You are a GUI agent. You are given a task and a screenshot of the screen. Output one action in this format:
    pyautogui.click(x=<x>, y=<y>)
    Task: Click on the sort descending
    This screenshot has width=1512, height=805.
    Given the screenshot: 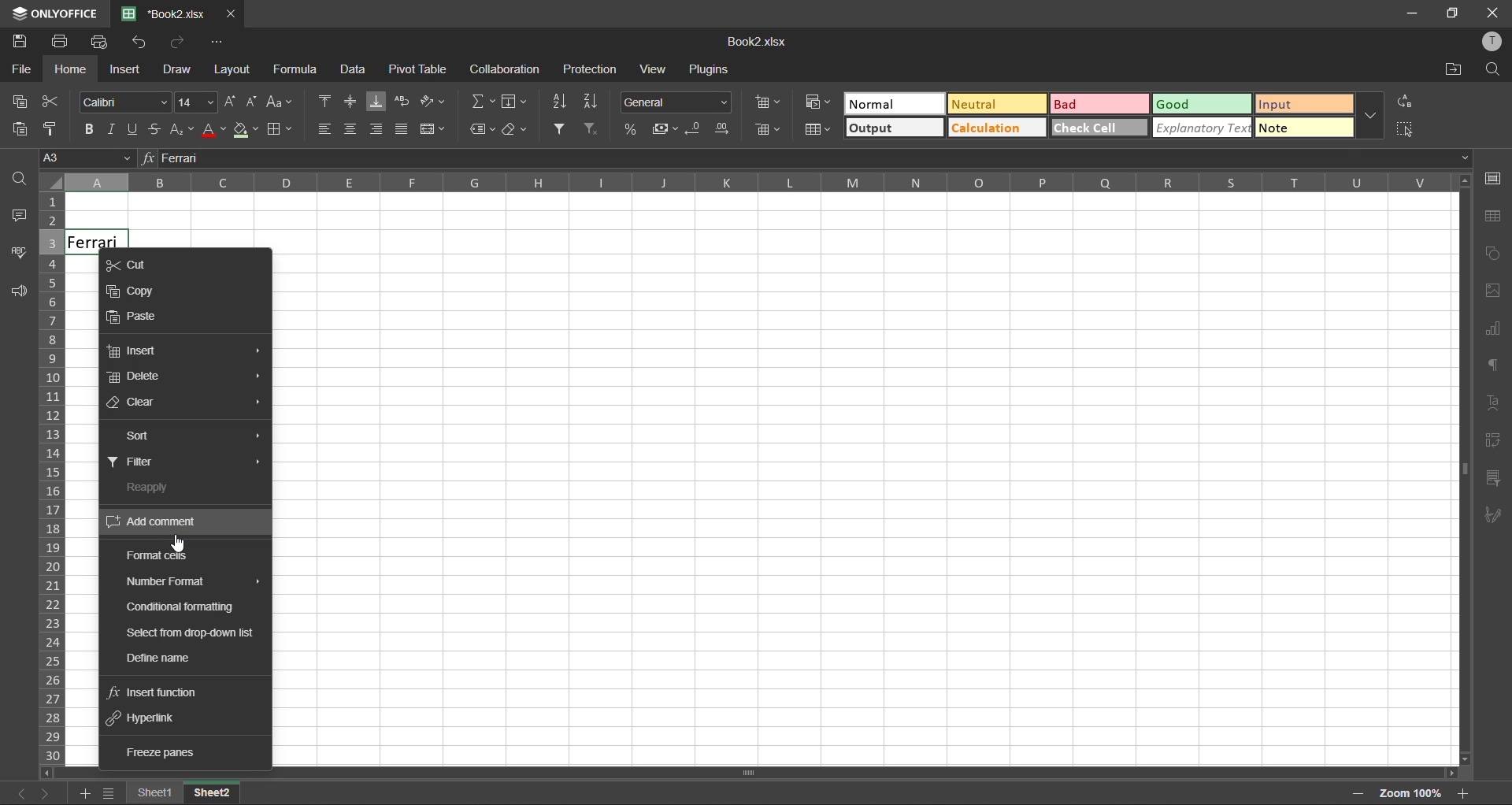 What is the action you would take?
    pyautogui.click(x=595, y=100)
    